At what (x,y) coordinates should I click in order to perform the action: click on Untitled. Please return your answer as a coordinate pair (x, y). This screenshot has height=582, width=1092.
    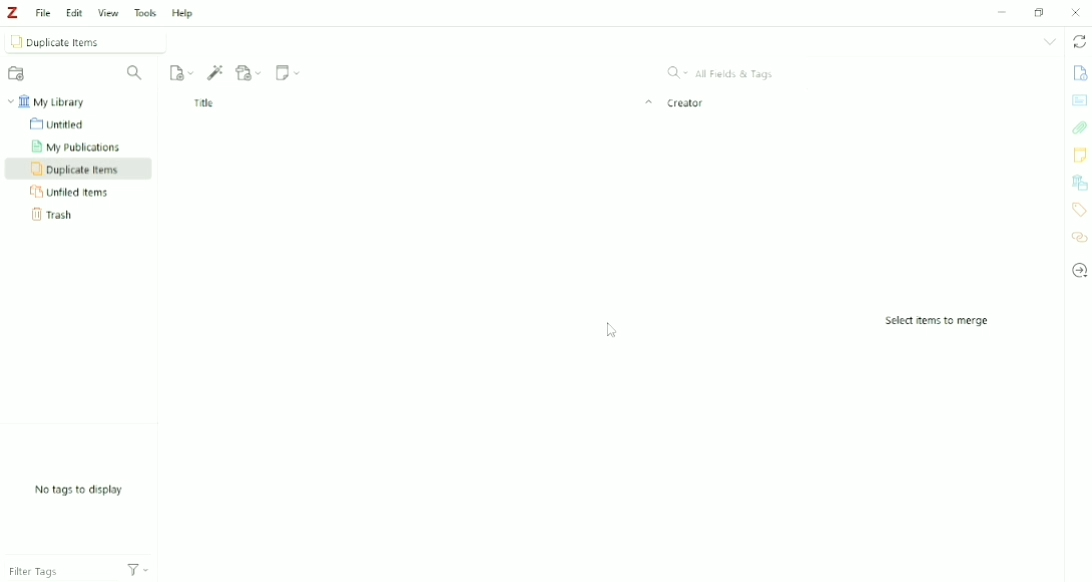
    Looking at the image, I should click on (64, 125).